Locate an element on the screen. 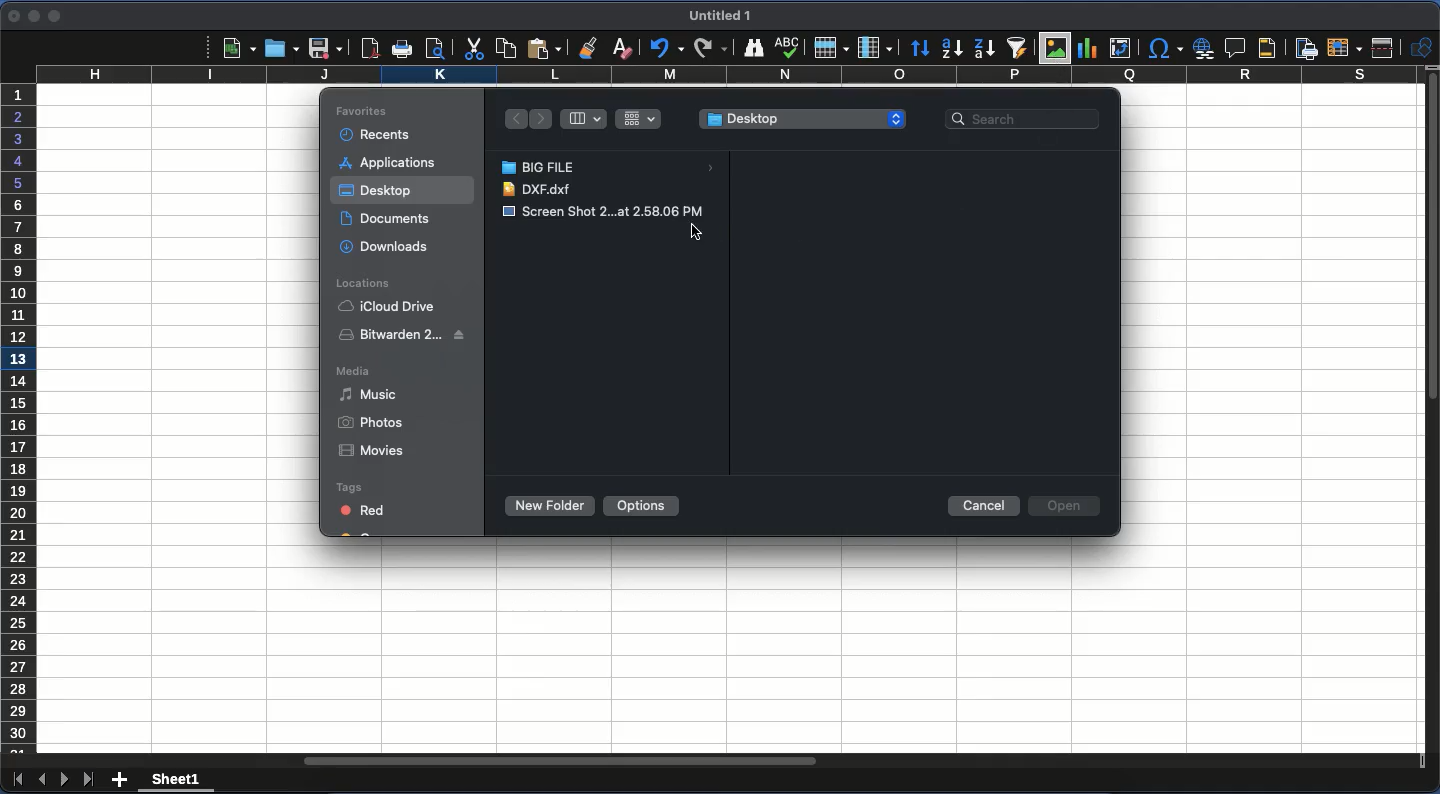 The height and width of the screenshot is (794, 1440). undo is located at coordinates (665, 49).